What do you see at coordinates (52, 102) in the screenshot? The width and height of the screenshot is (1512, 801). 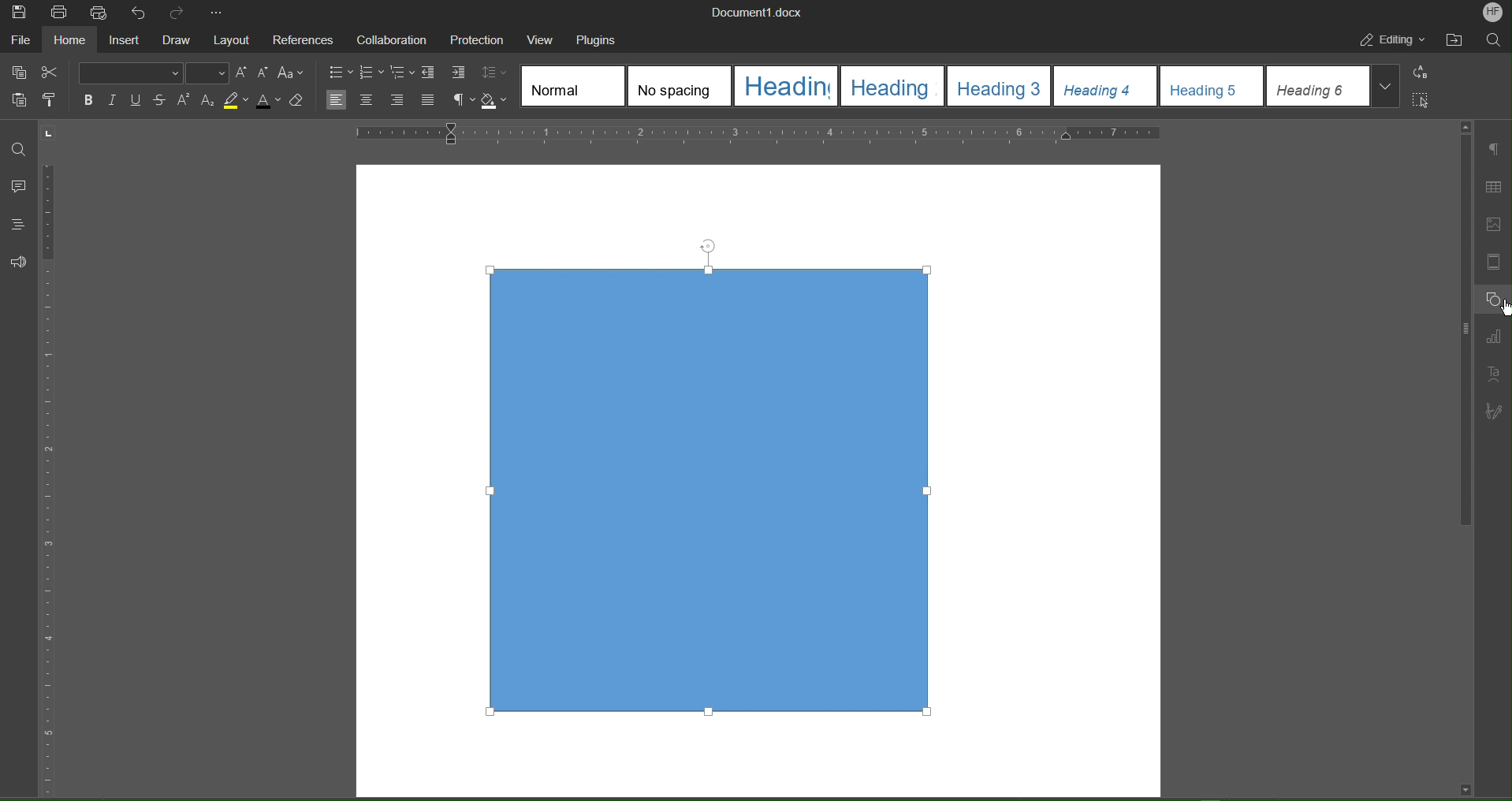 I see `Style Copy` at bounding box center [52, 102].